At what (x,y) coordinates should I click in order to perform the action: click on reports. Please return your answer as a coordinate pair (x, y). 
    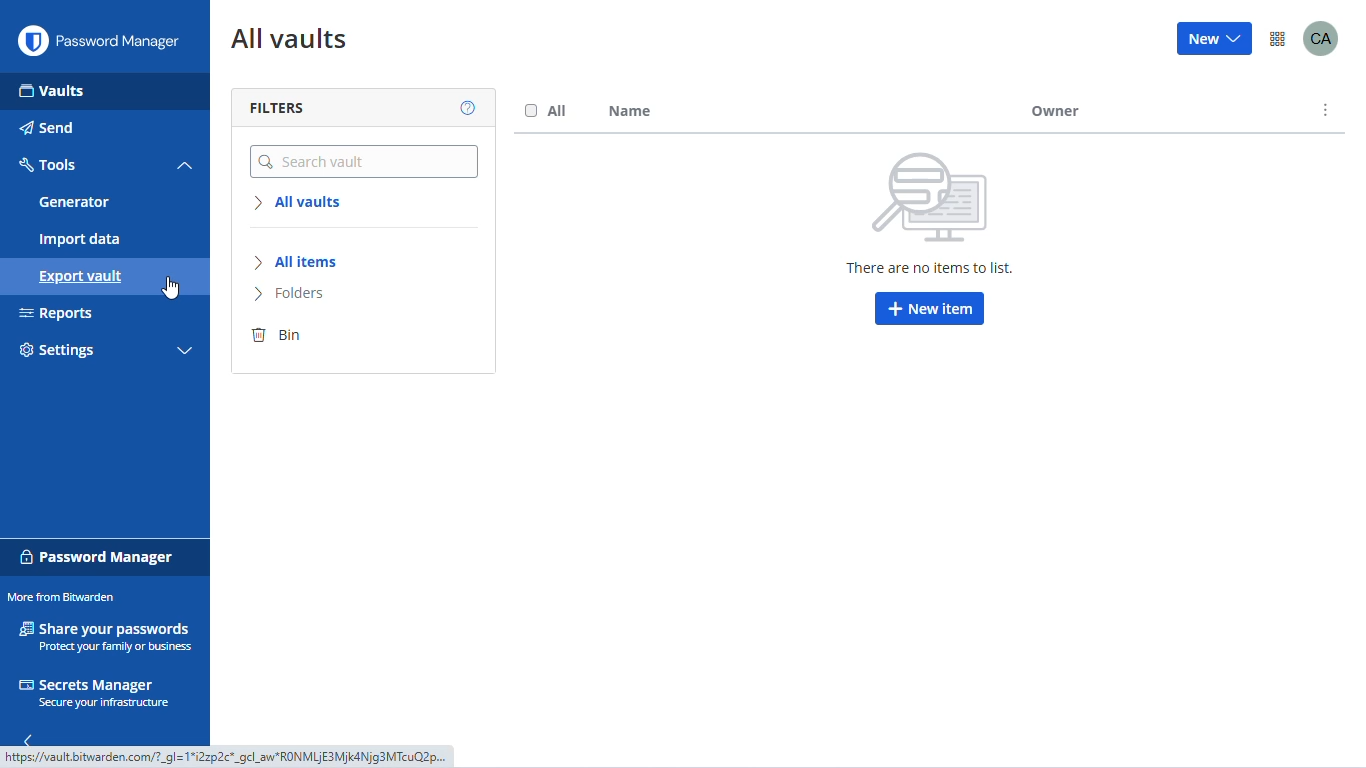
    Looking at the image, I should click on (58, 314).